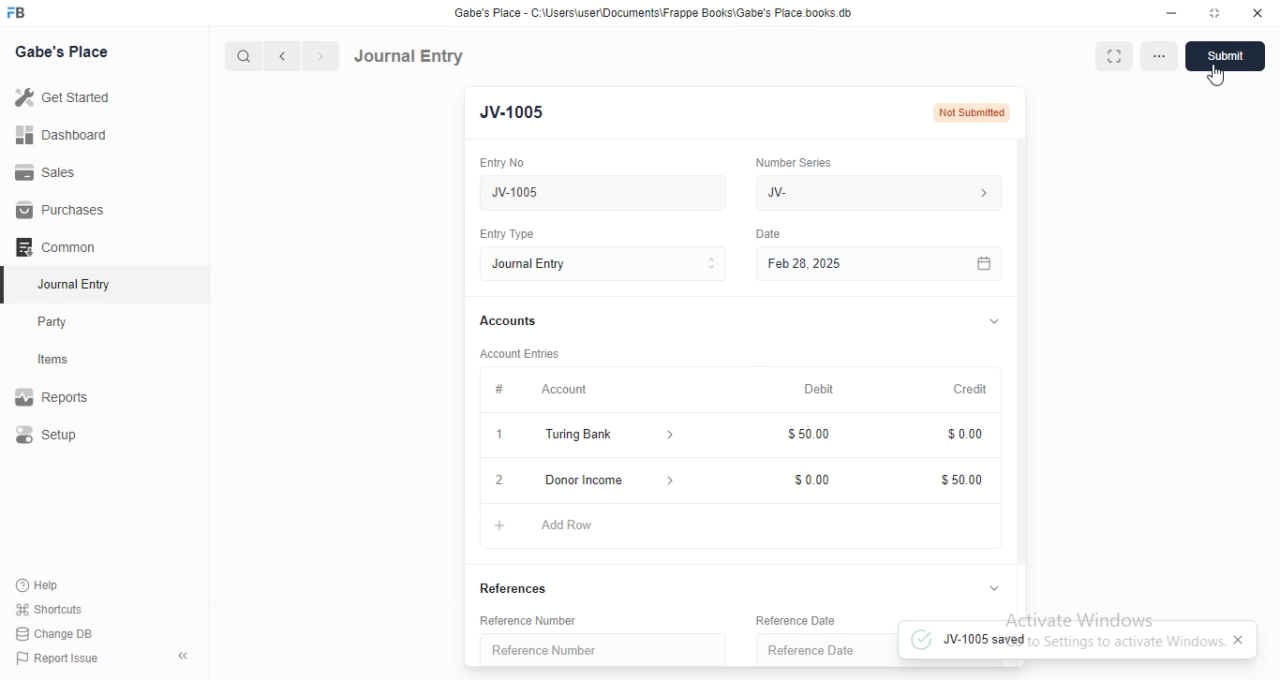  I want to click on Gabe's Place, so click(62, 51).